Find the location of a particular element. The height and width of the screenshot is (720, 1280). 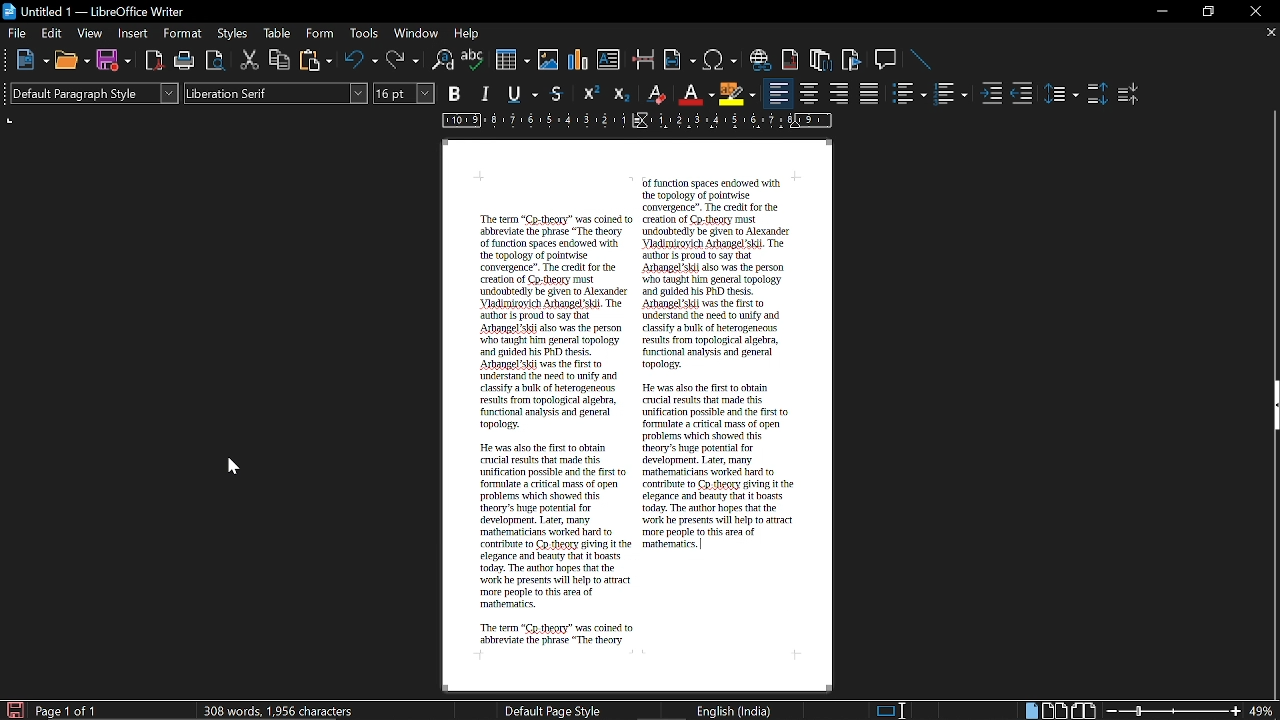

Text size is located at coordinates (403, 93).